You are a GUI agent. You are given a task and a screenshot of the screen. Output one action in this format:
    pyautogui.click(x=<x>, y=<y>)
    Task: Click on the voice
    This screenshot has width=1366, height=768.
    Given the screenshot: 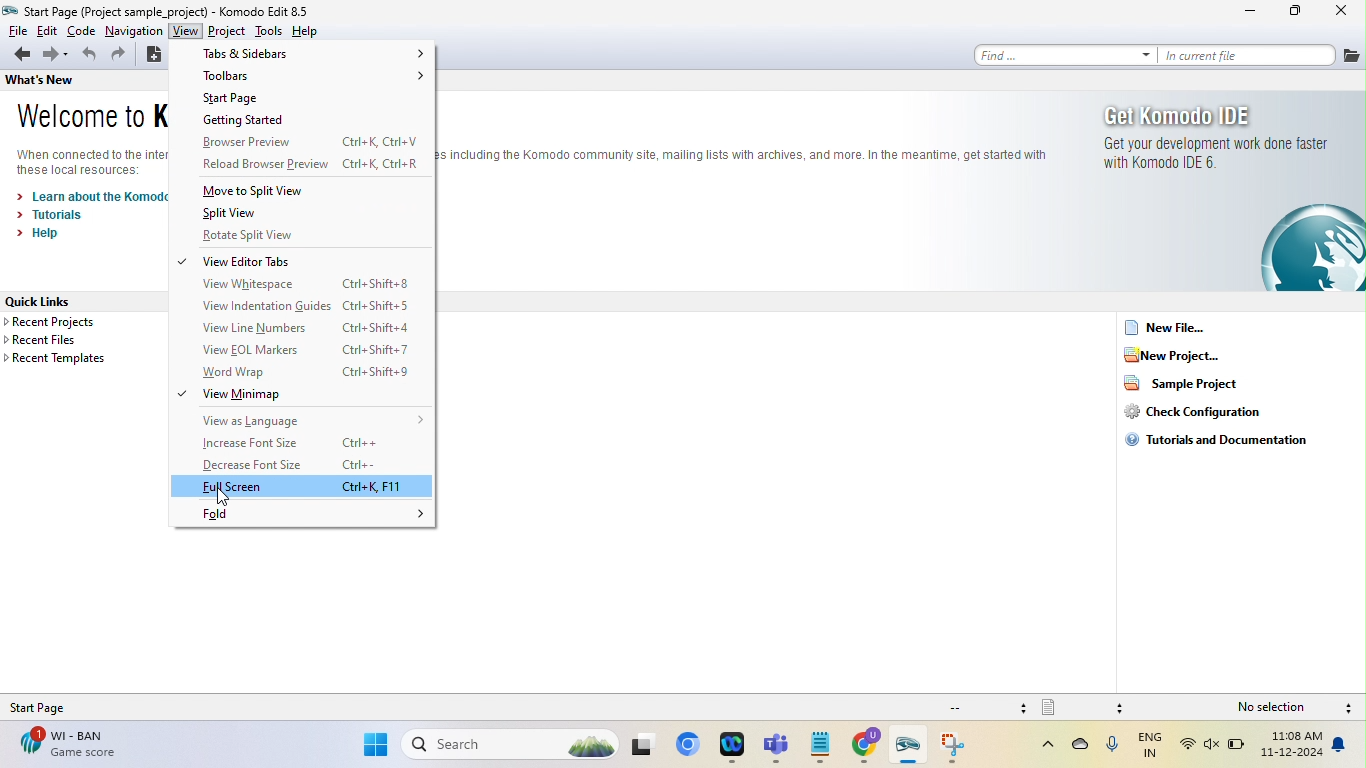 What is the action you would take?
    pyautogui.click(x=1112, y=749)
    